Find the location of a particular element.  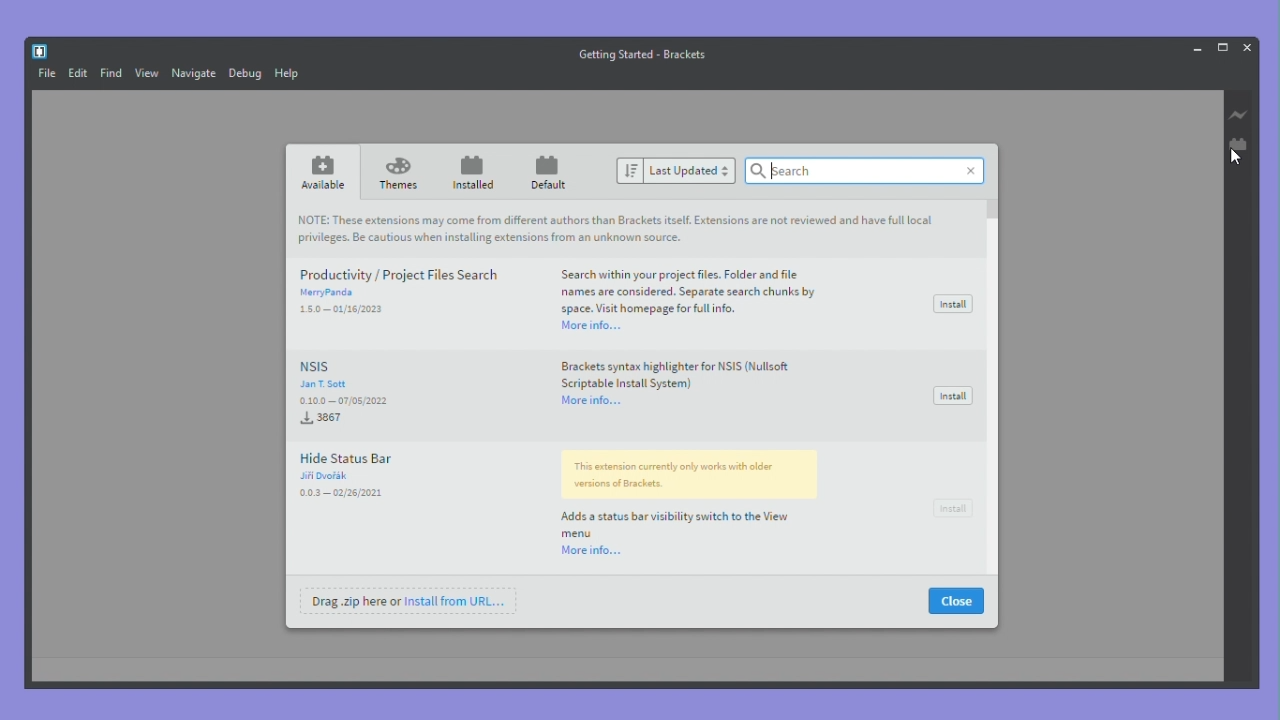

Close is located at coordinates (1247, 47).